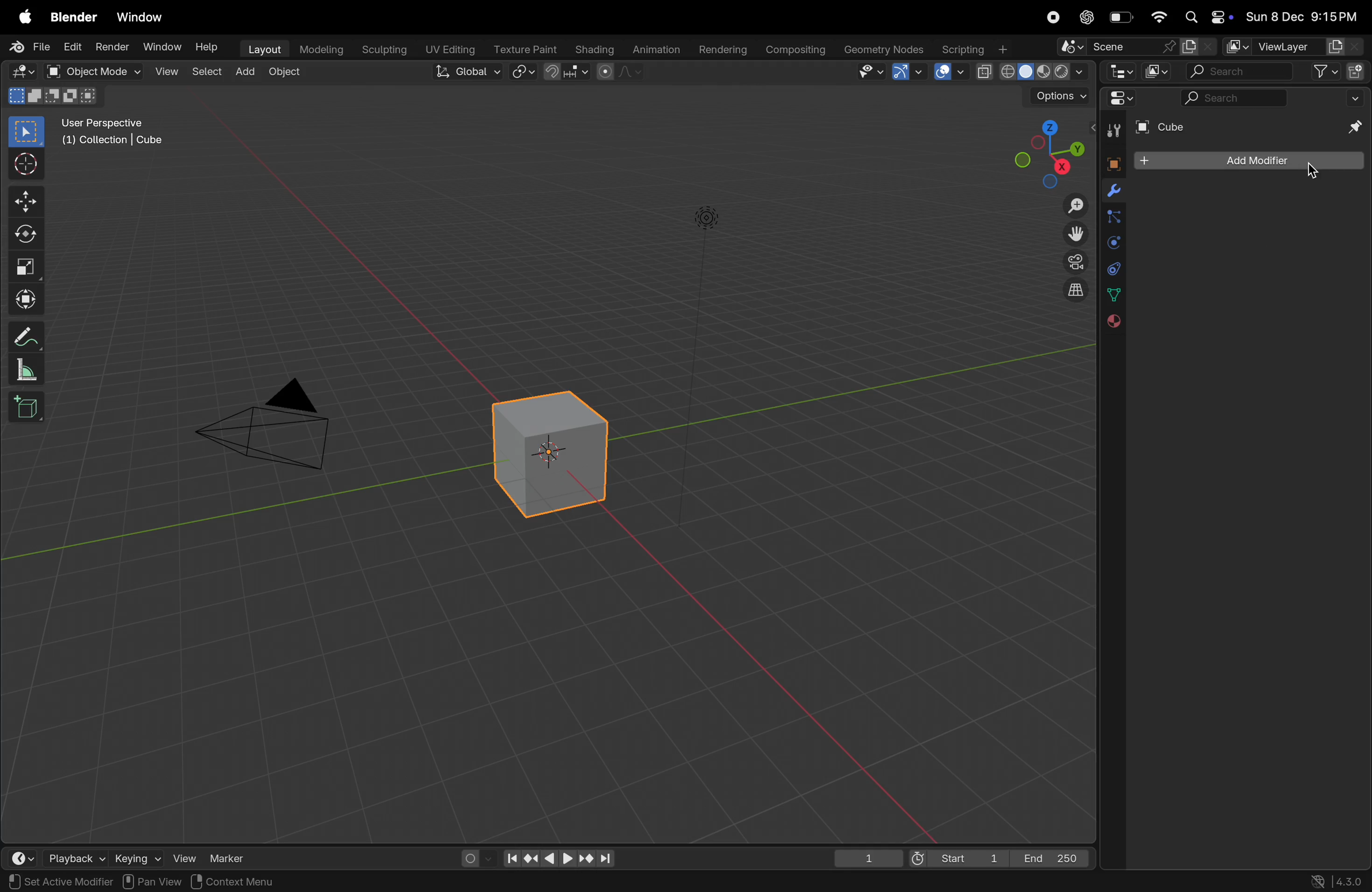 This screenshot has height=892, width=1372. What do you see at coordinates (1071, 261) in the screenshot?
I see `switch camera view` at bounding box center [1071, 261].